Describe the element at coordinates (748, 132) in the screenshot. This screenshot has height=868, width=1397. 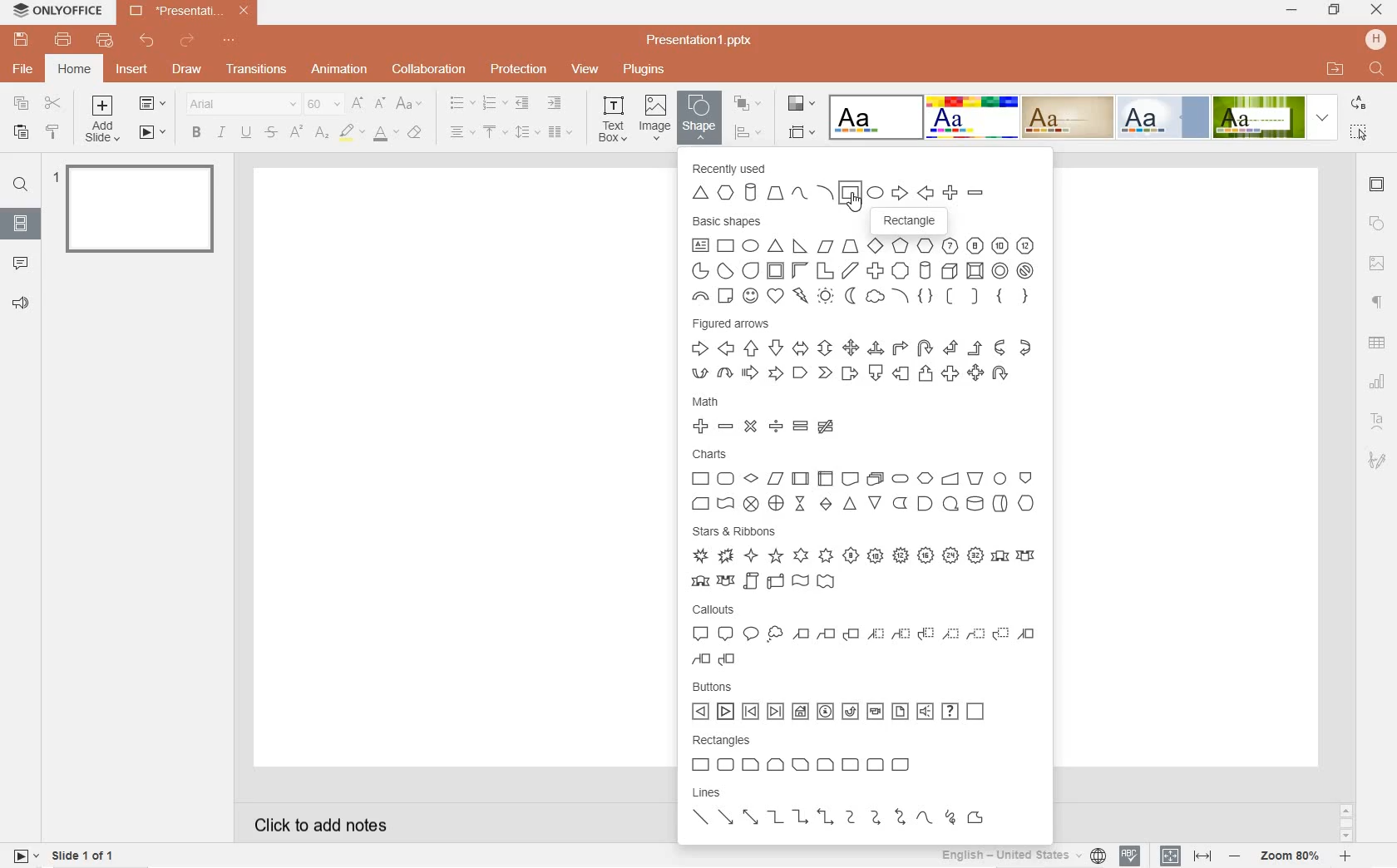
I see `align shape` at that location.